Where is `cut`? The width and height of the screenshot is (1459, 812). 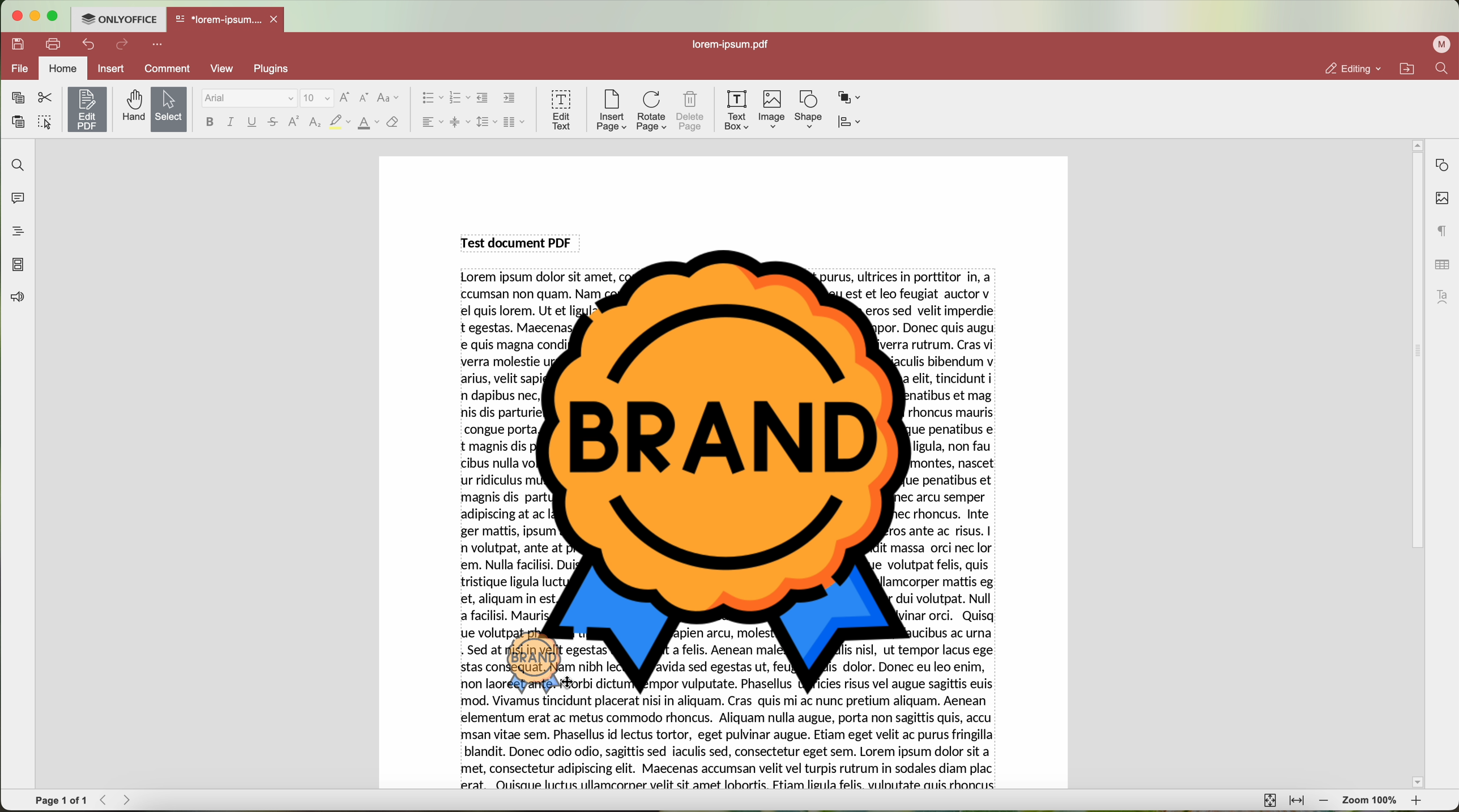 cut is located at coordinates (45, 98).